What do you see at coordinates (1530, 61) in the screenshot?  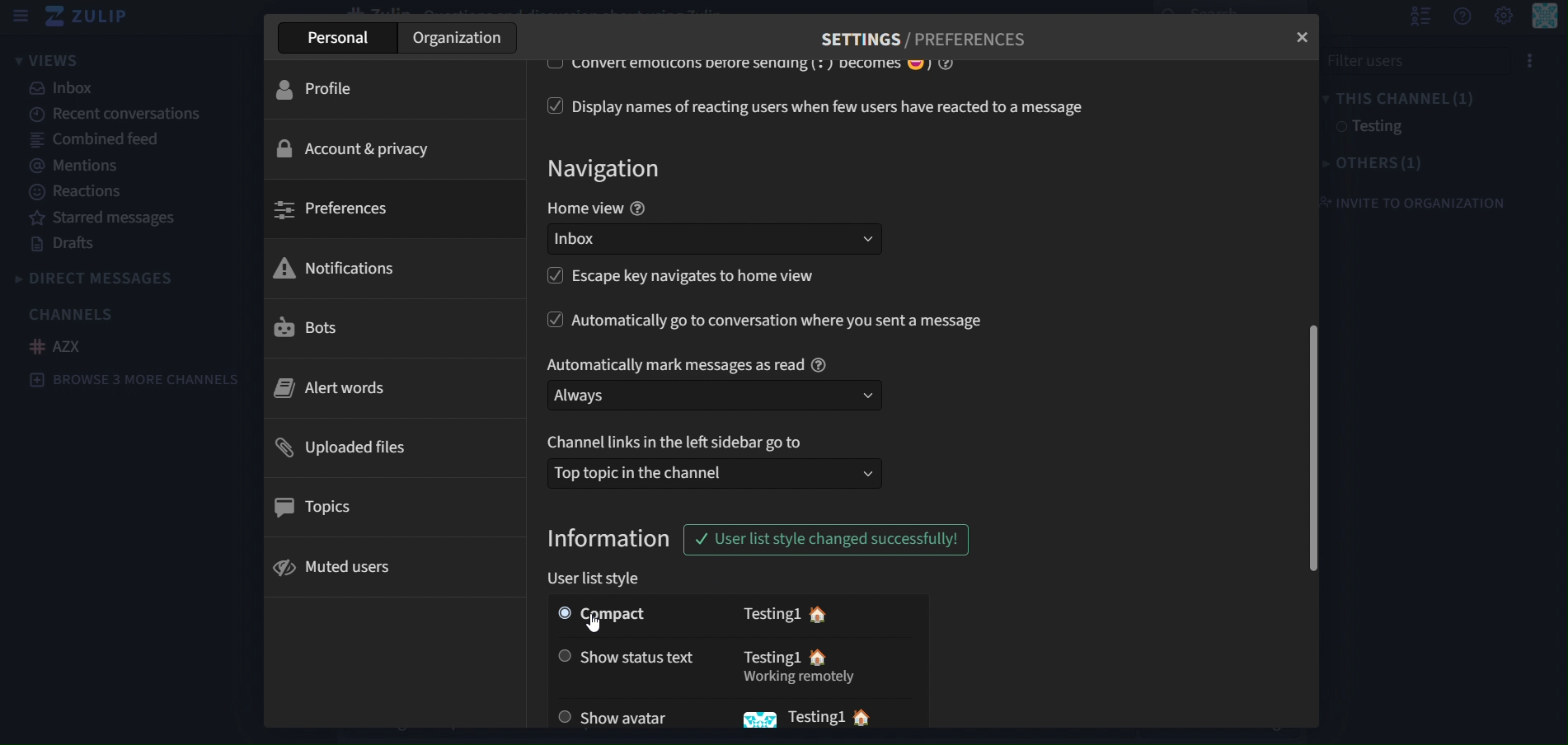 I see `Options` at bounding box center [1530, 61].